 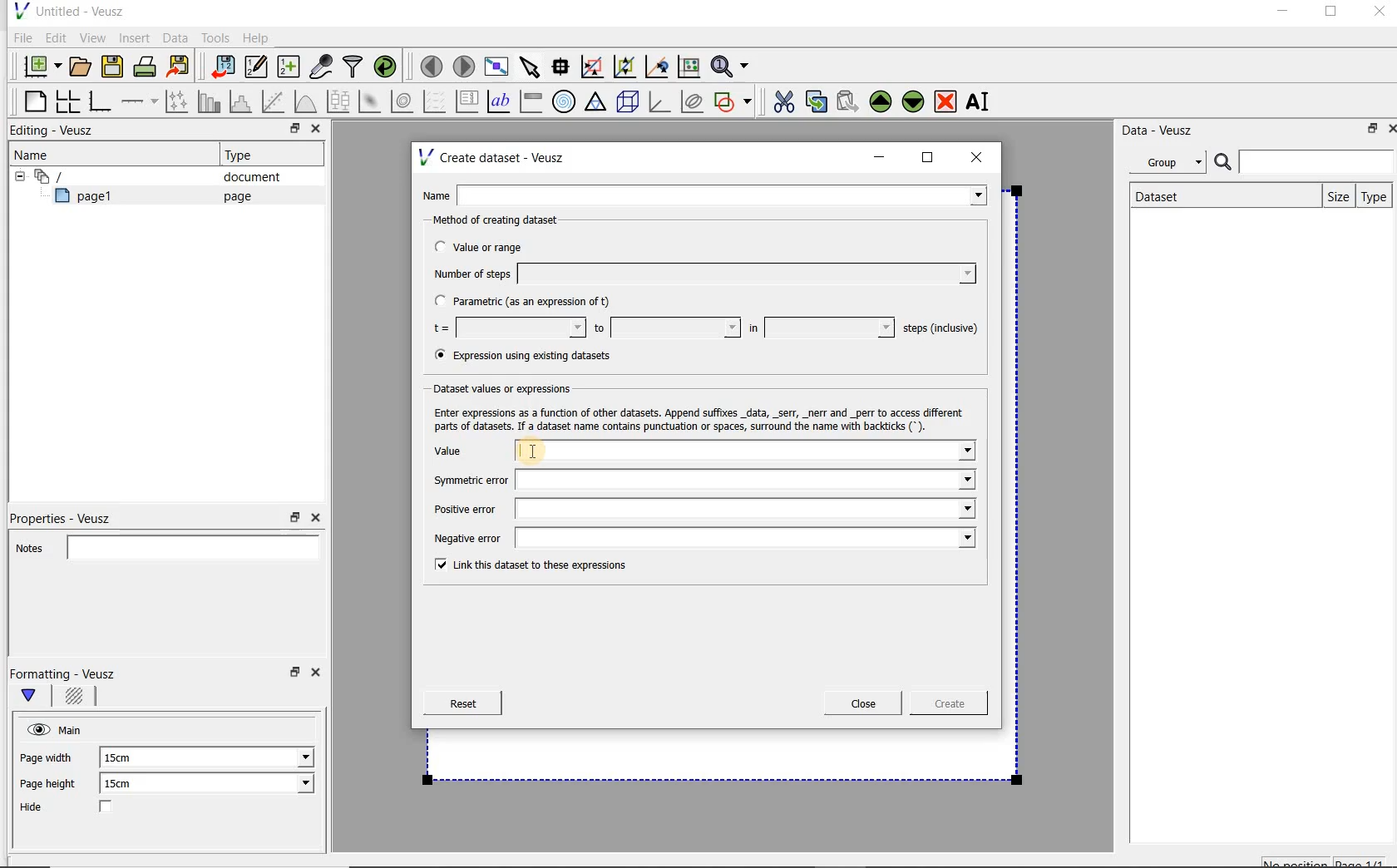 What do you see at coordinates (1366, 861) in the screenshot?
I see `page1/1` at bounding box center [1366, 861].